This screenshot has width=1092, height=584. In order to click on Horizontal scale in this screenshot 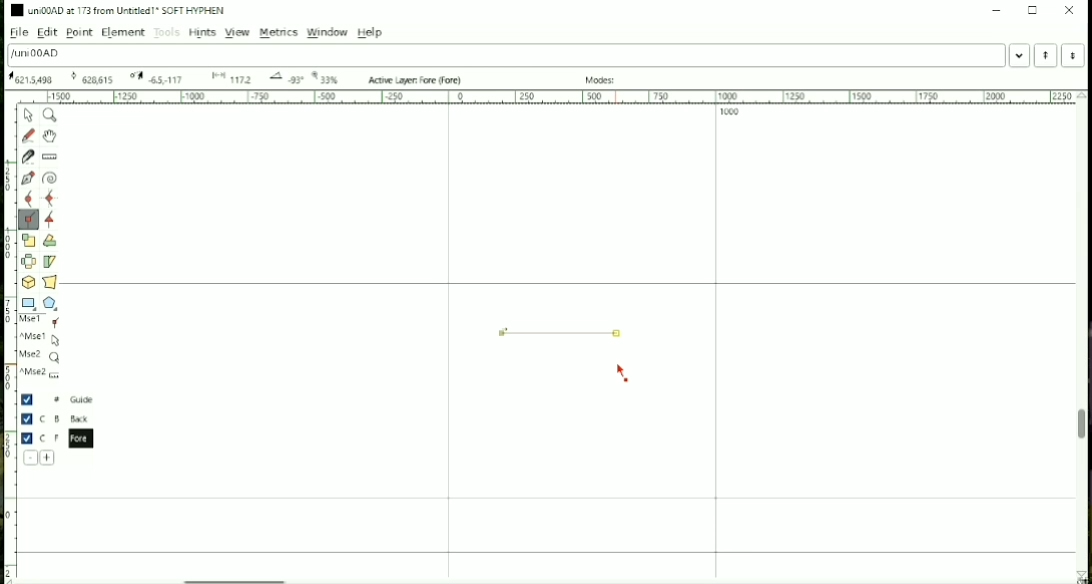, I will do `click(547, 97)`.